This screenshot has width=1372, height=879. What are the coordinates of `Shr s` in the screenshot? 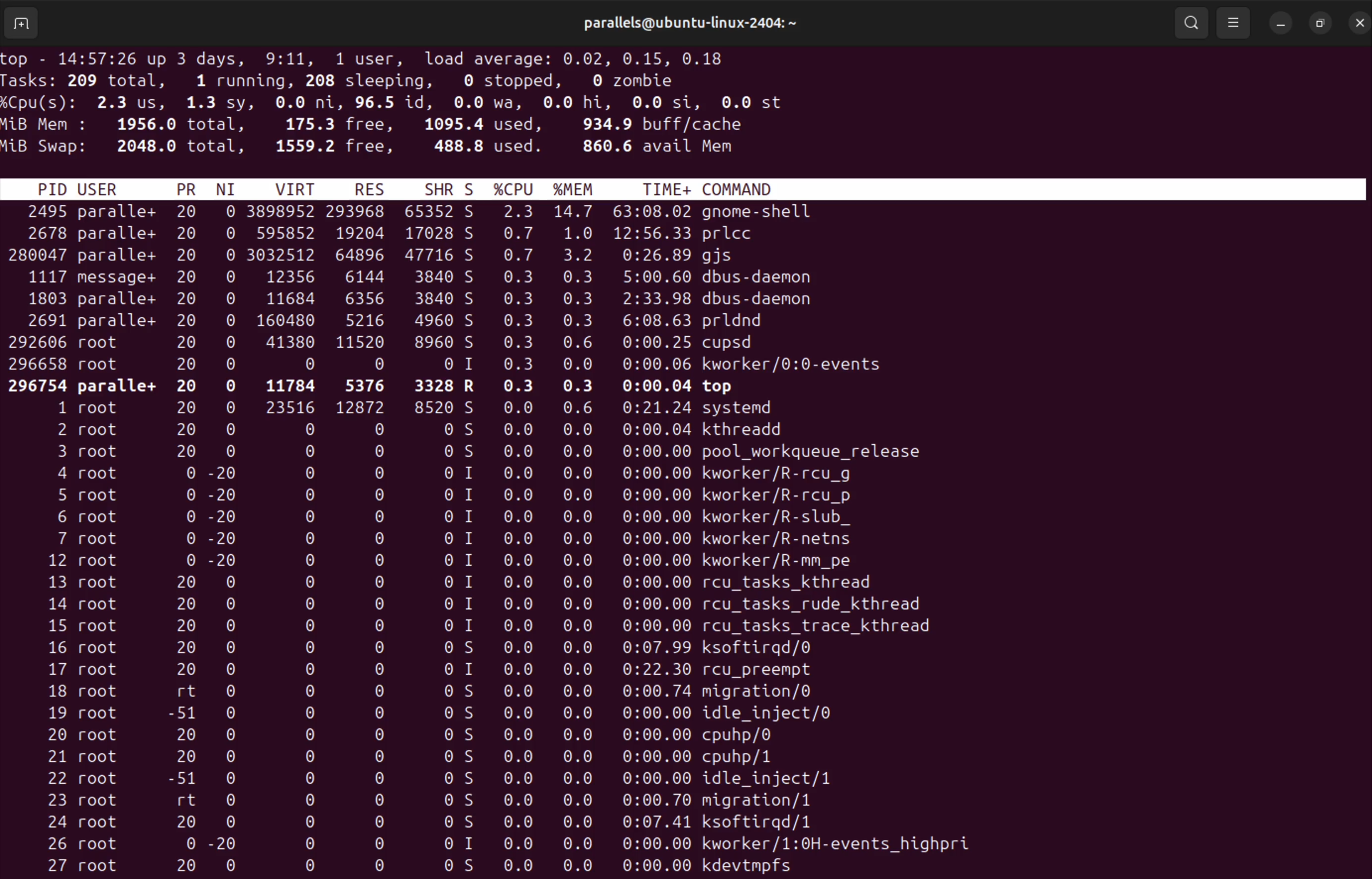 It's located at (449, 187).